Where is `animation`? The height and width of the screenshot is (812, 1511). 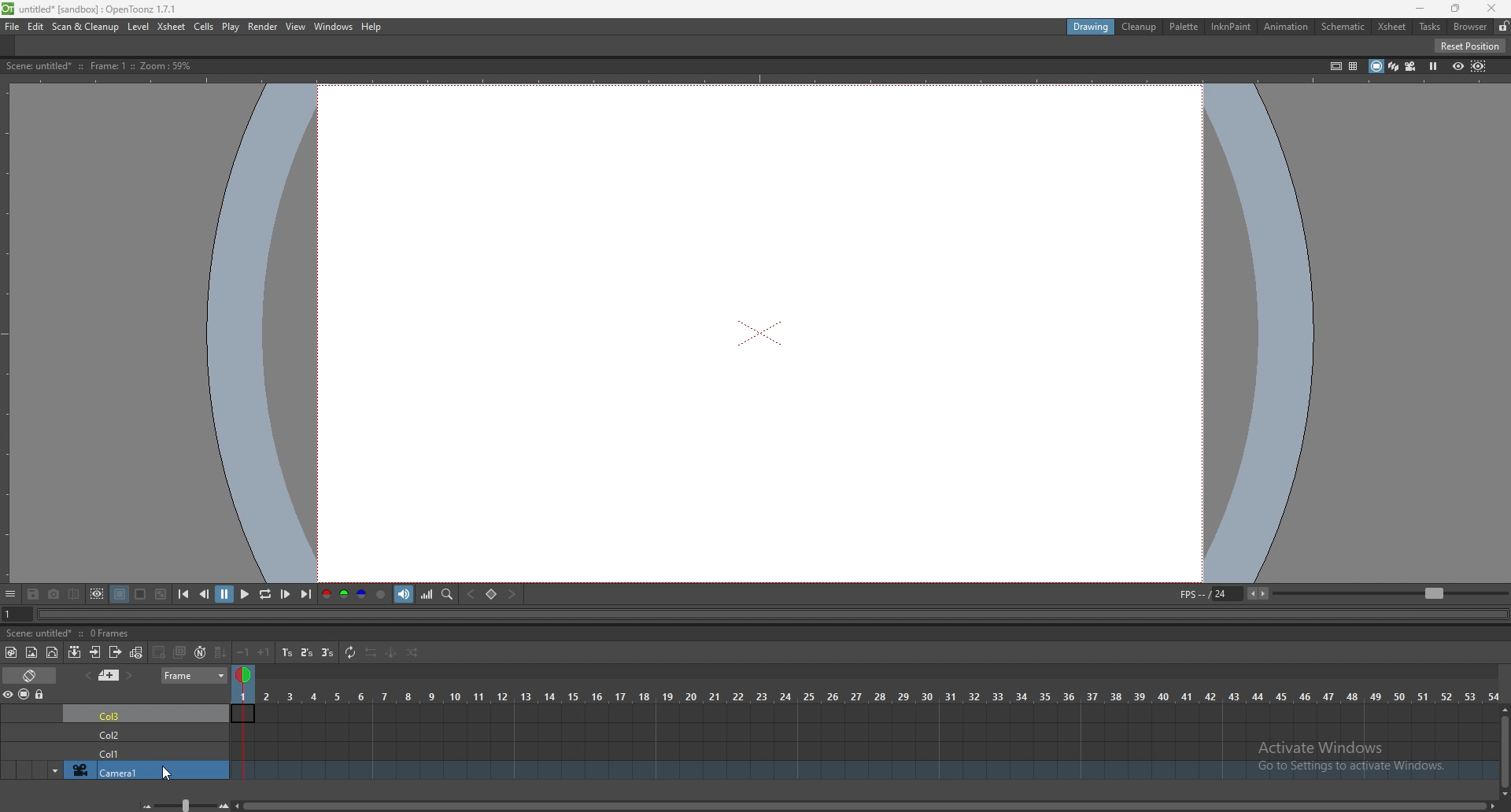 animation is located at coordinates (1287, 28).